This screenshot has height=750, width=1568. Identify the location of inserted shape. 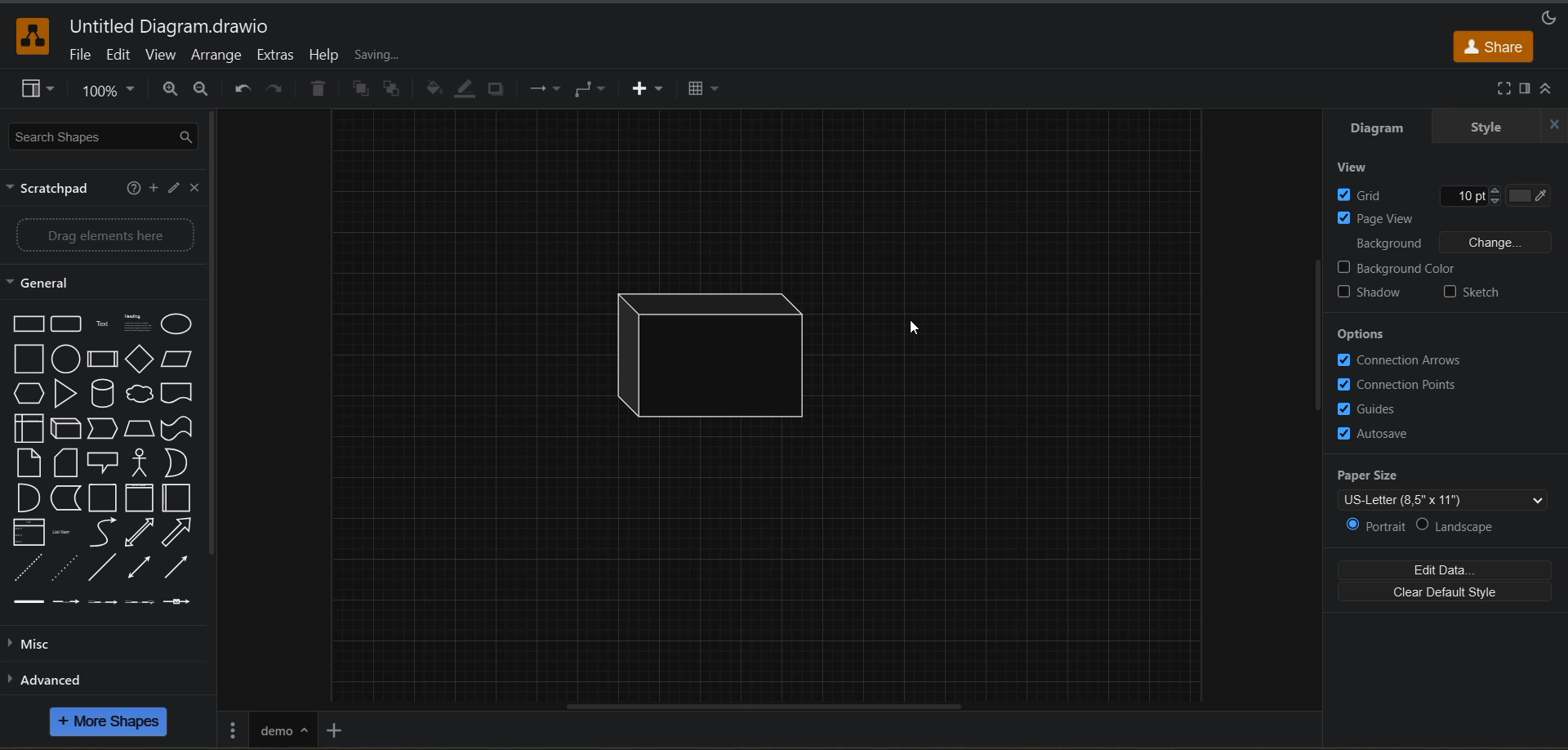
(718, 353).